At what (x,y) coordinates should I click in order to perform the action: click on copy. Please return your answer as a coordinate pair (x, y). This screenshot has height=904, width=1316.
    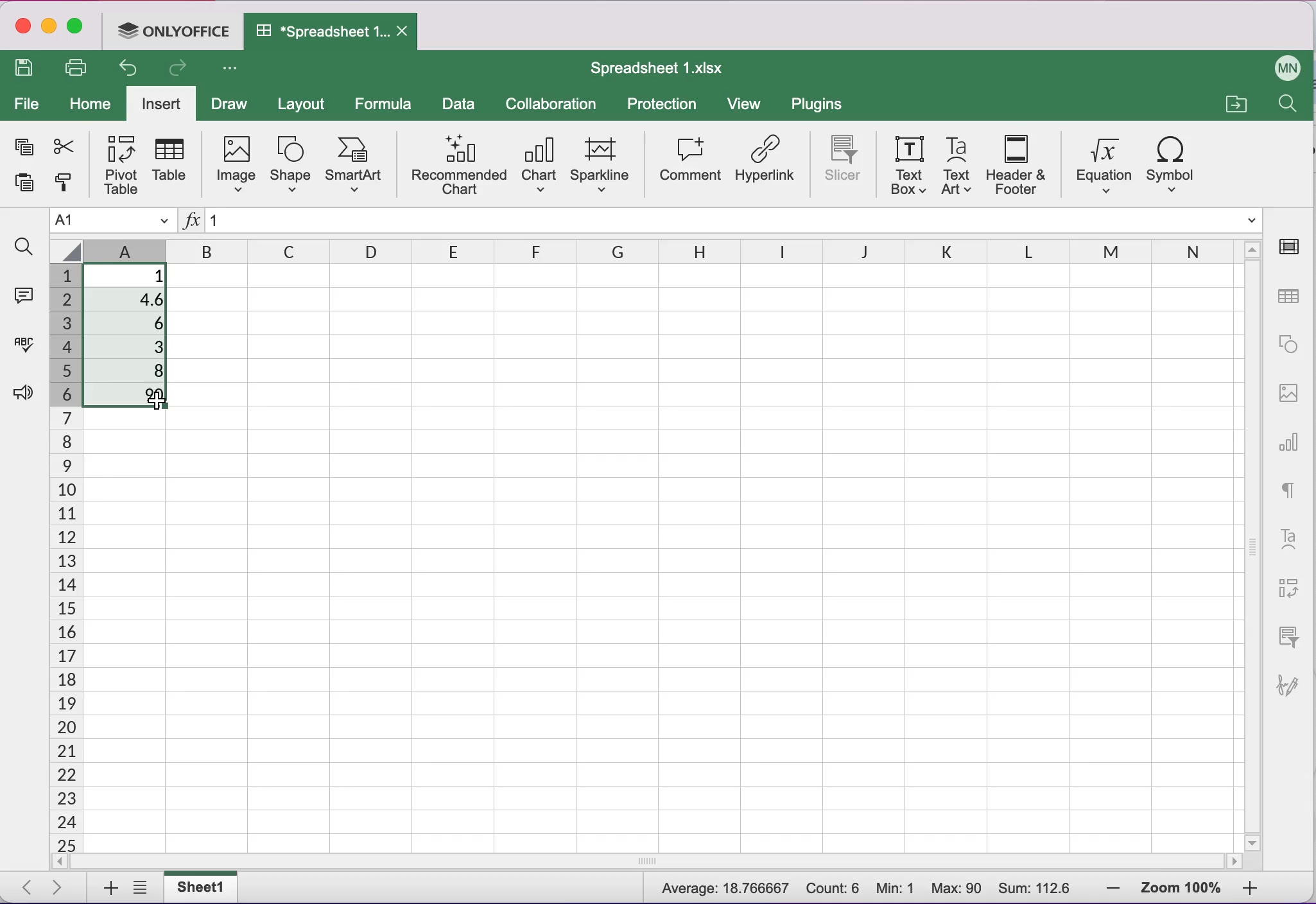
    Looking at the image, I should click on (22, 148).